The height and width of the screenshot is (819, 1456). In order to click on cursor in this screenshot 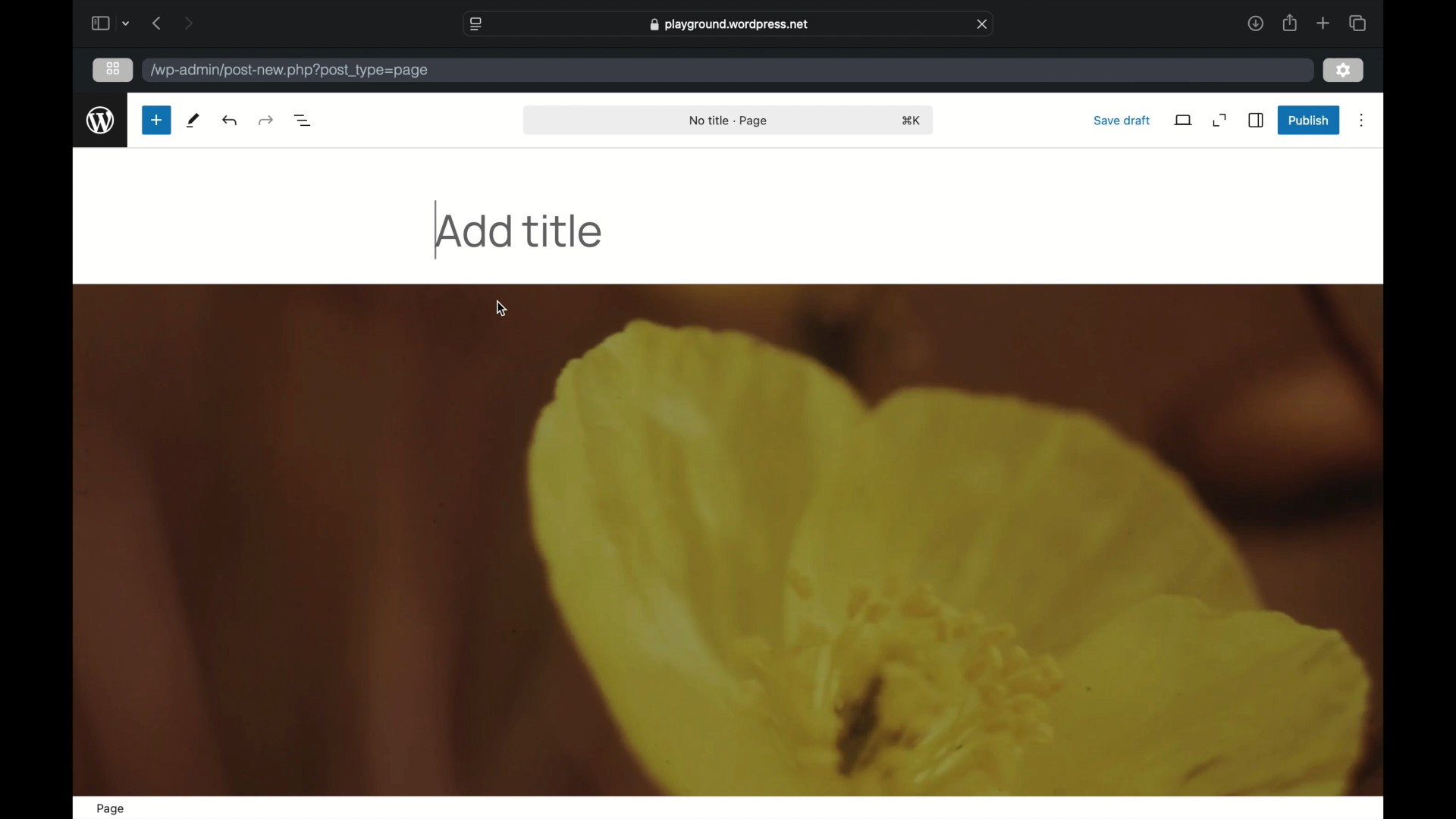, I will do `click(501, 309)`.